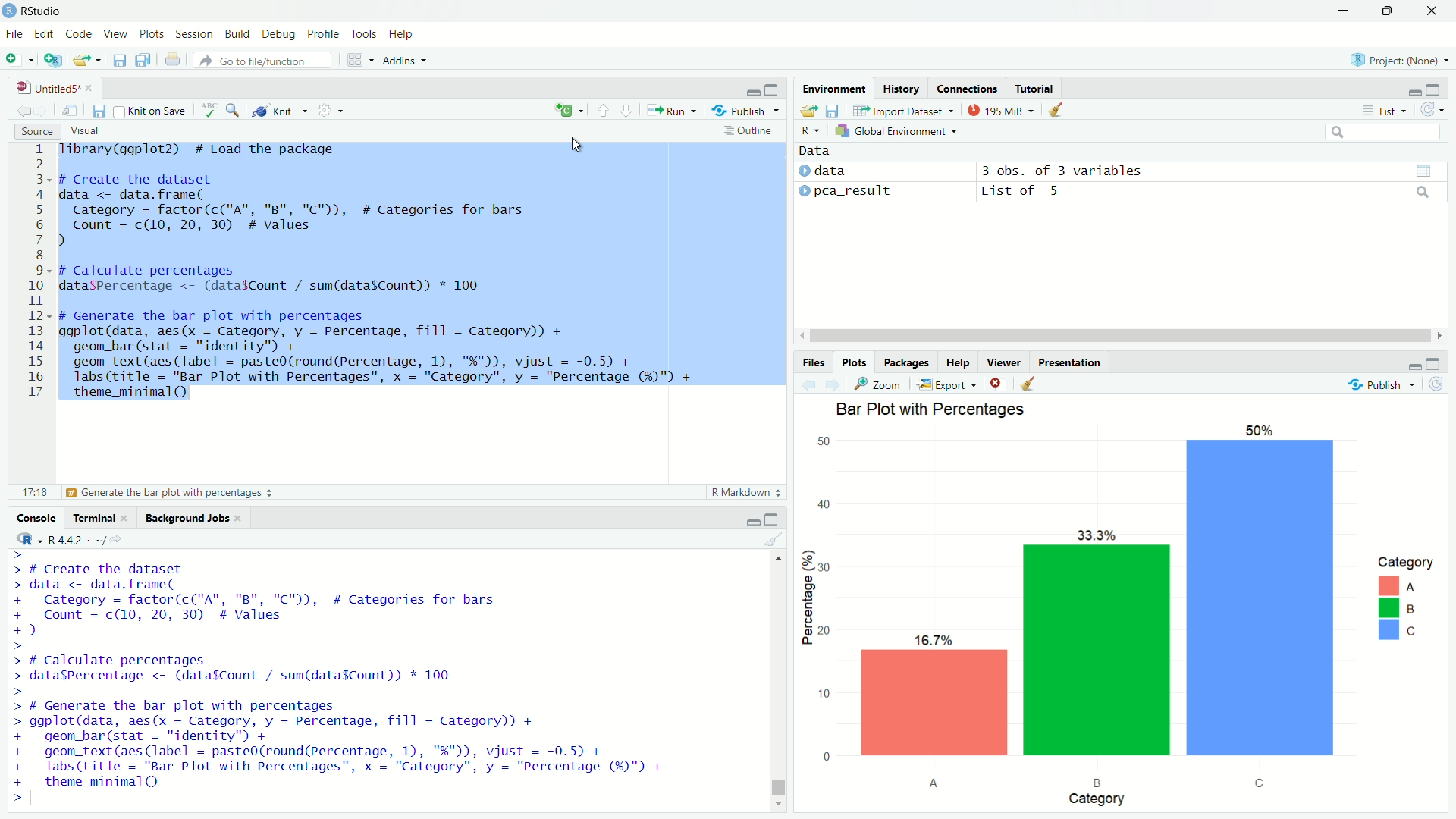 This screenshot has width=1456, height=819. What do you see at coordinates (100, 517) in the screenshot?
I see `terminal` at bounding box center [100, 517].